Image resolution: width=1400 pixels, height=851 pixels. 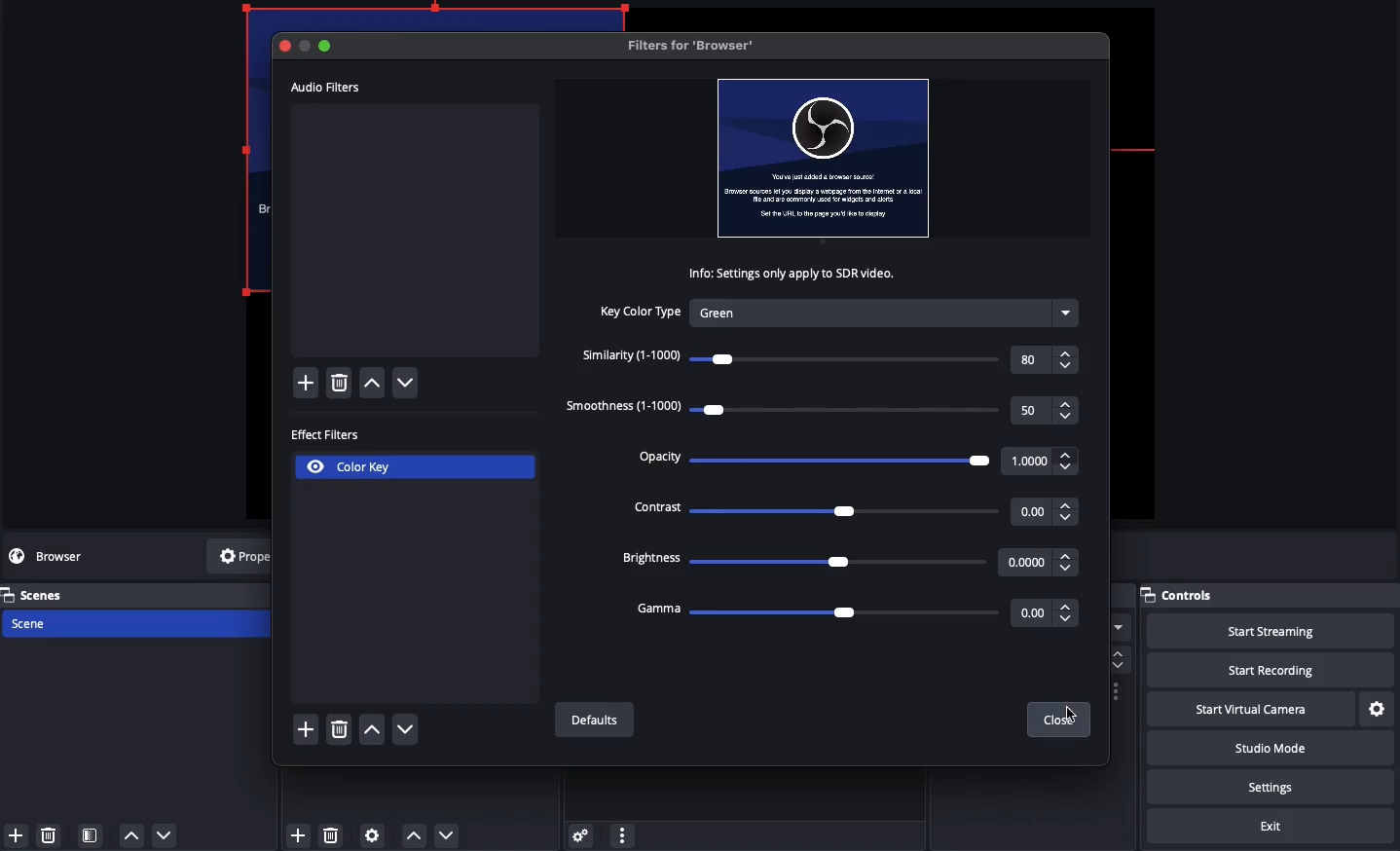 What do you see at coordinates (327, 87) in the screenshot?
I see `Audio filters` at bounding box center [327, 87].